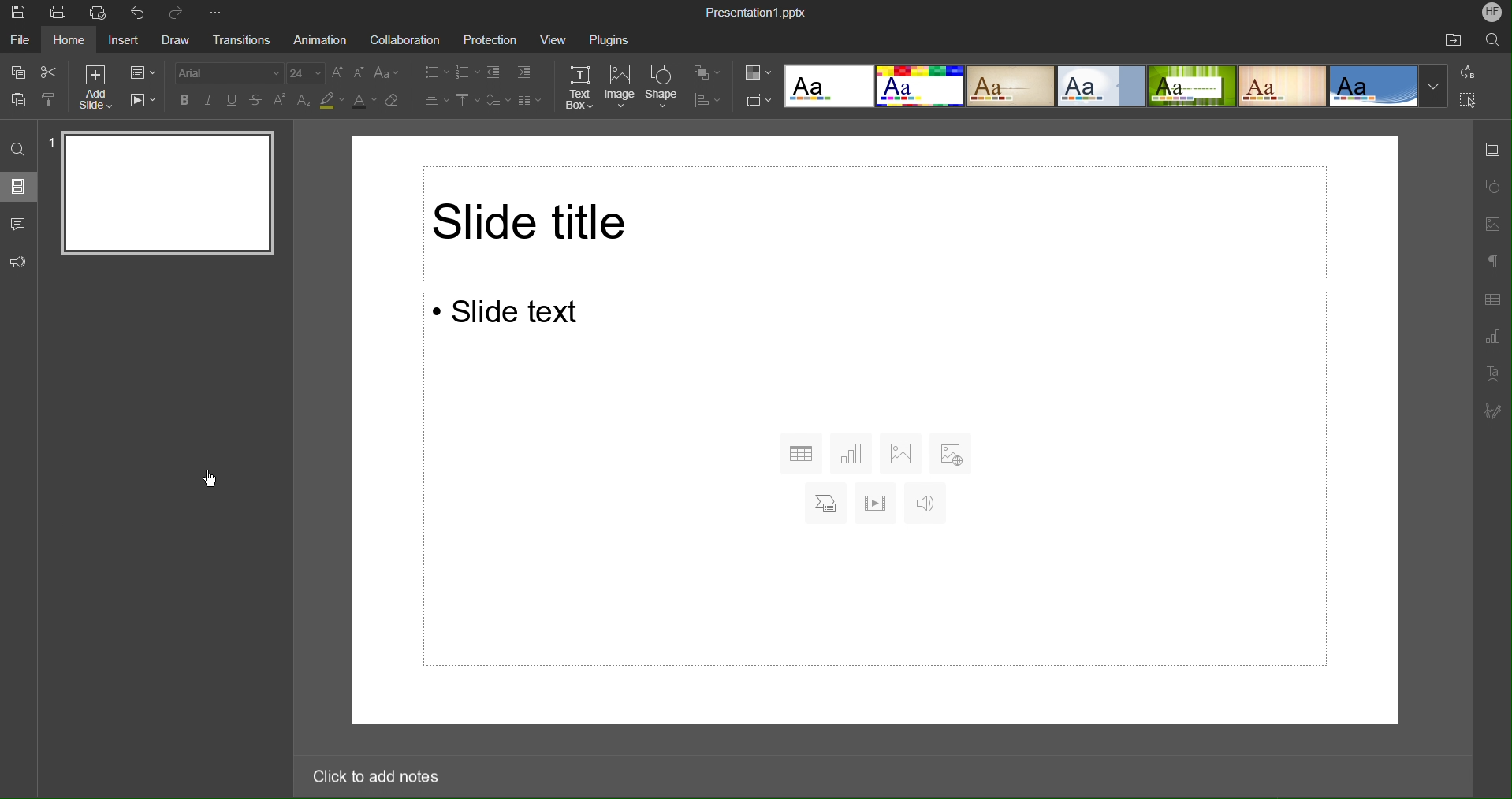 The width and height of the screenshot is (1512, 799). What do you see at coordinates (1468, 72) in the screenshot?
I see `Replace` at bounding box center [1468, 72].